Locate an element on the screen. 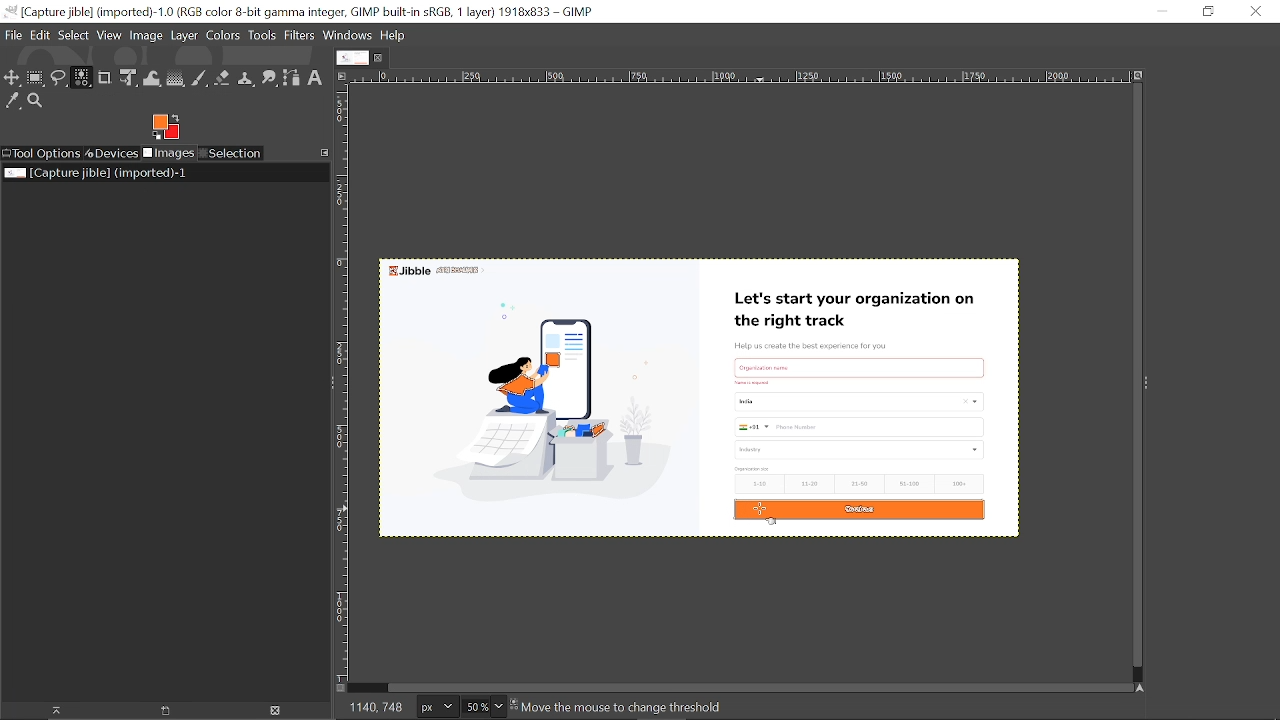  Zoom options is located at coordinates (498, 706).